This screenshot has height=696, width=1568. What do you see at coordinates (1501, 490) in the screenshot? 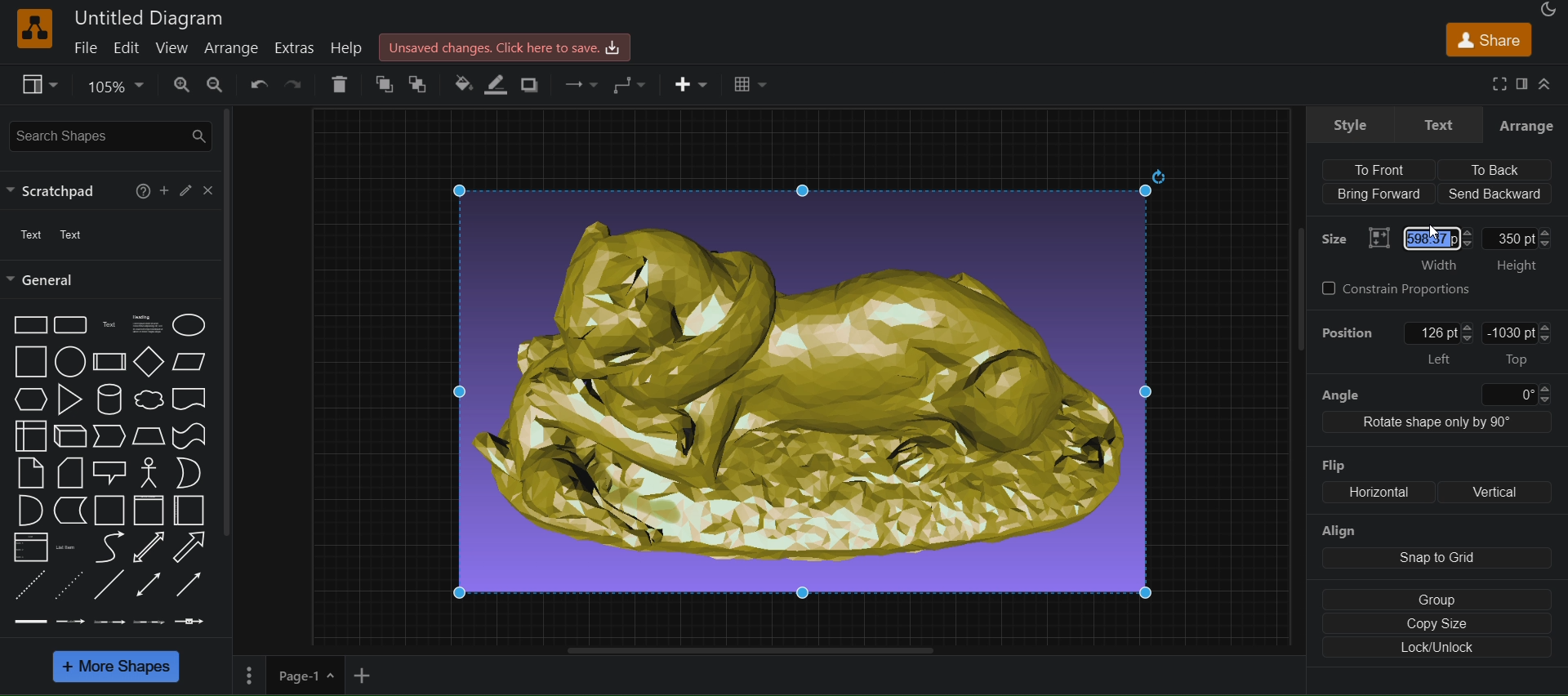
I see `Vertical` at bounding box center [1501, 490].